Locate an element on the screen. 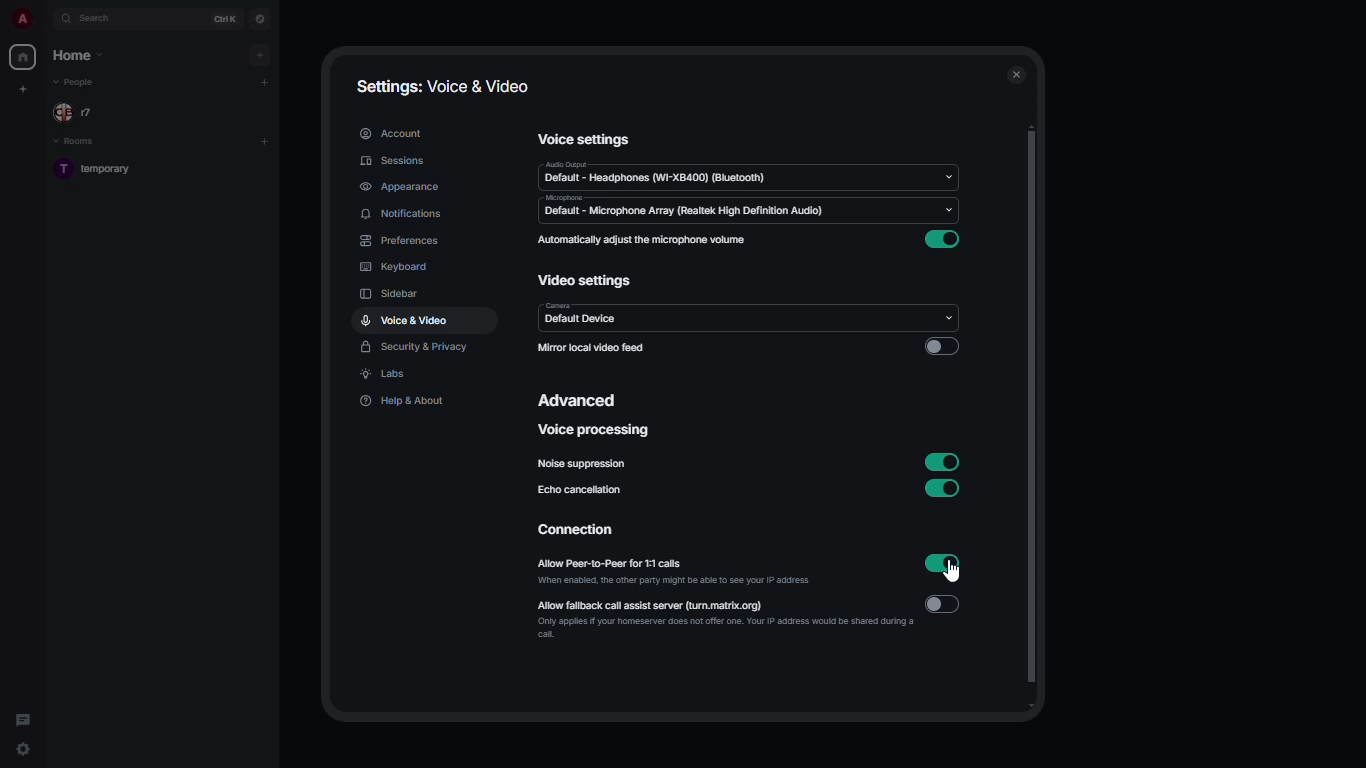  disabled is located at coordinates (941, 348).